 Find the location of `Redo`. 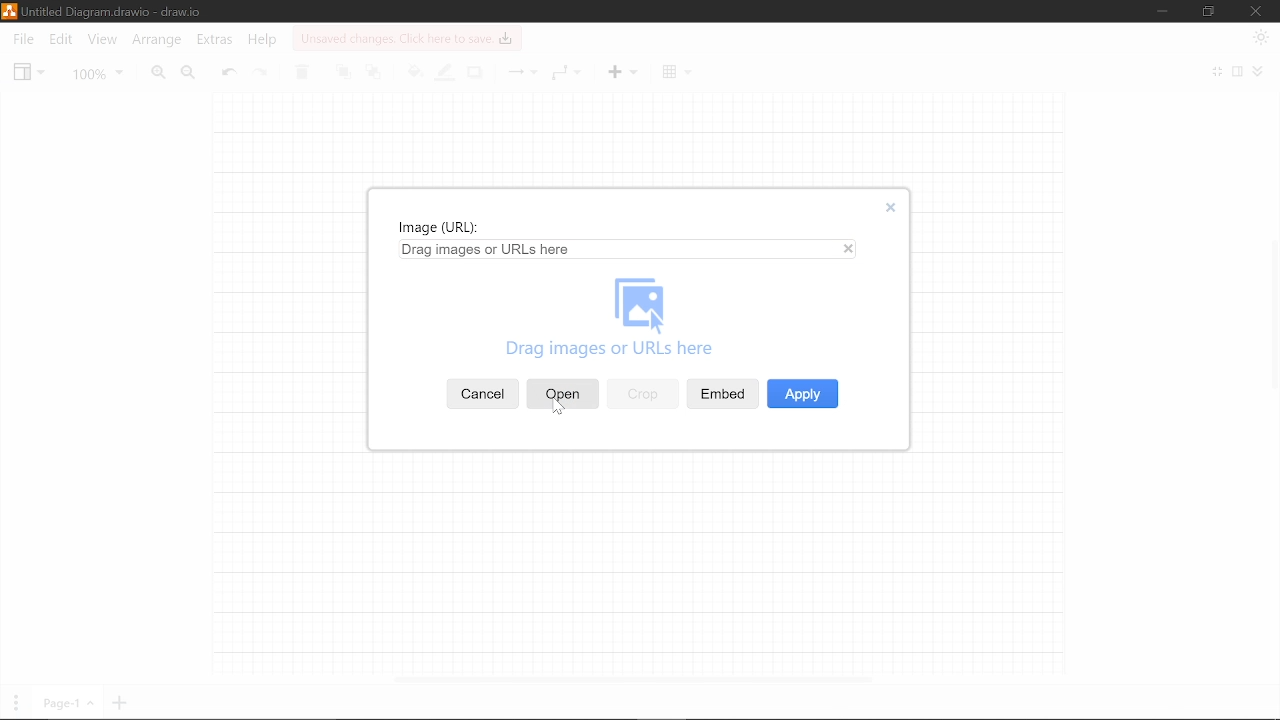

Redo is located at coordinates (261, 71).